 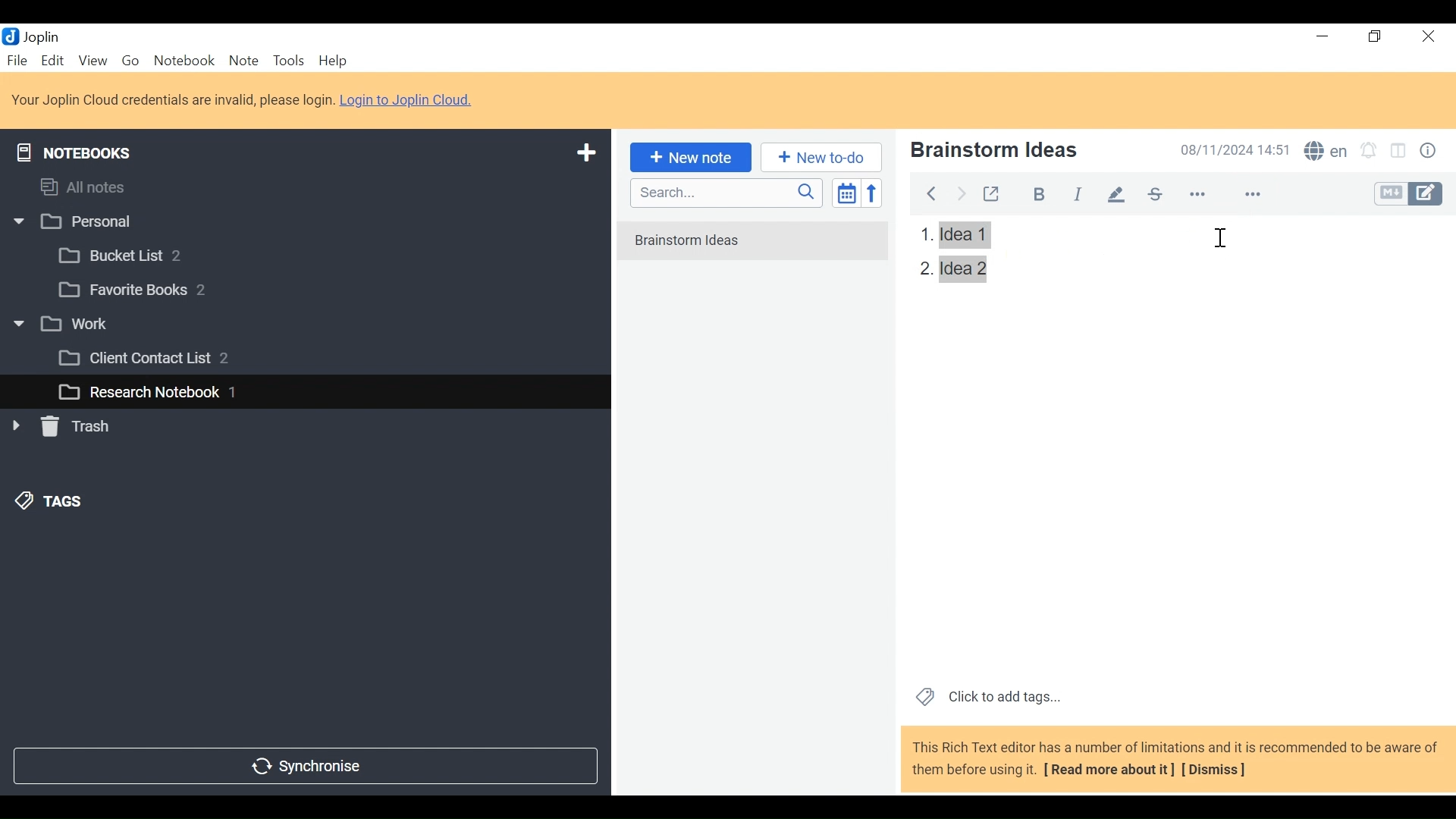 I want to click on [3 Client Contact List 2, so click(x=166, y=362).